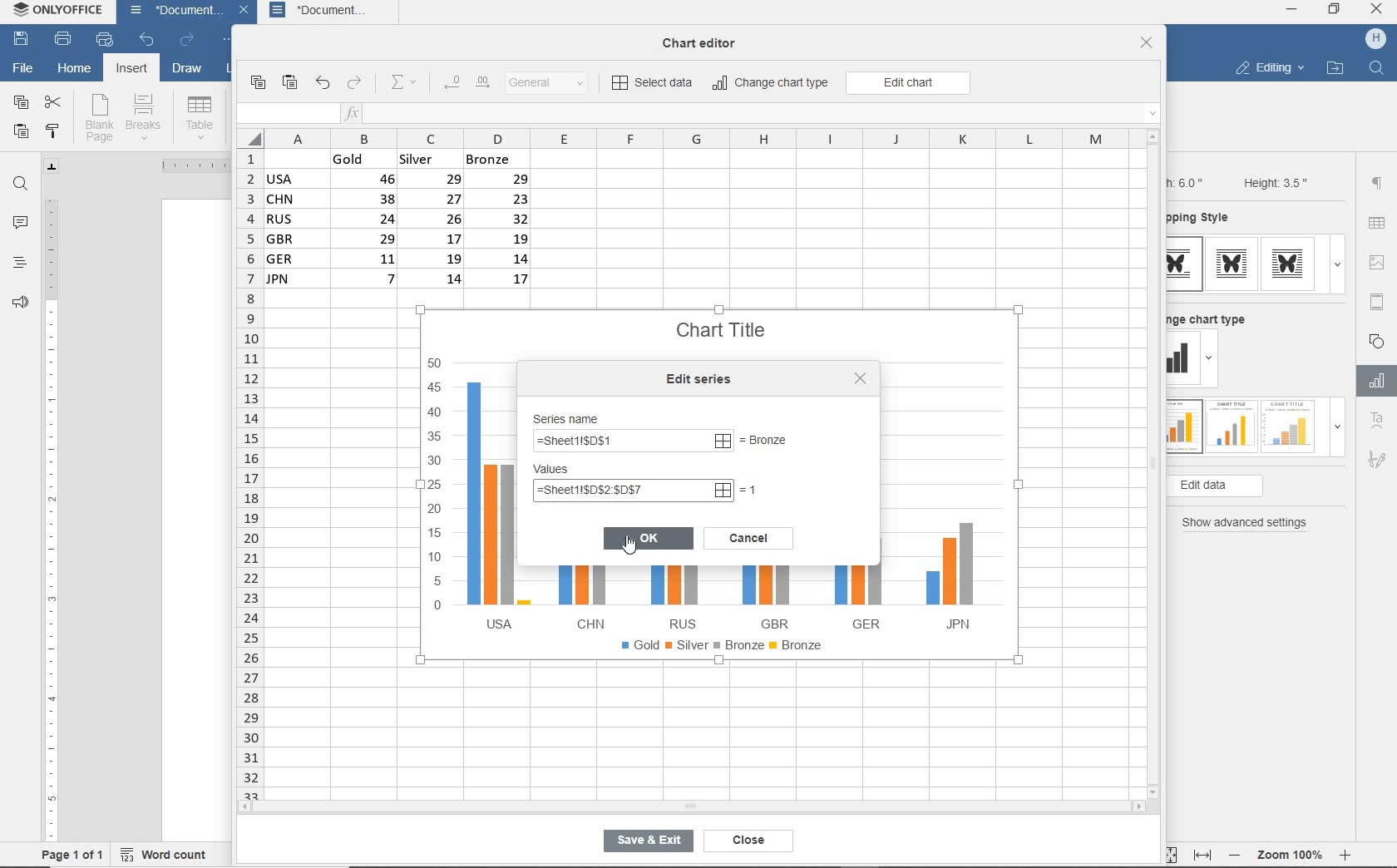  What do you see at coordinates (18, 306) in the screenshot?
I see `feedback & support` at bounding box center [18, 306].